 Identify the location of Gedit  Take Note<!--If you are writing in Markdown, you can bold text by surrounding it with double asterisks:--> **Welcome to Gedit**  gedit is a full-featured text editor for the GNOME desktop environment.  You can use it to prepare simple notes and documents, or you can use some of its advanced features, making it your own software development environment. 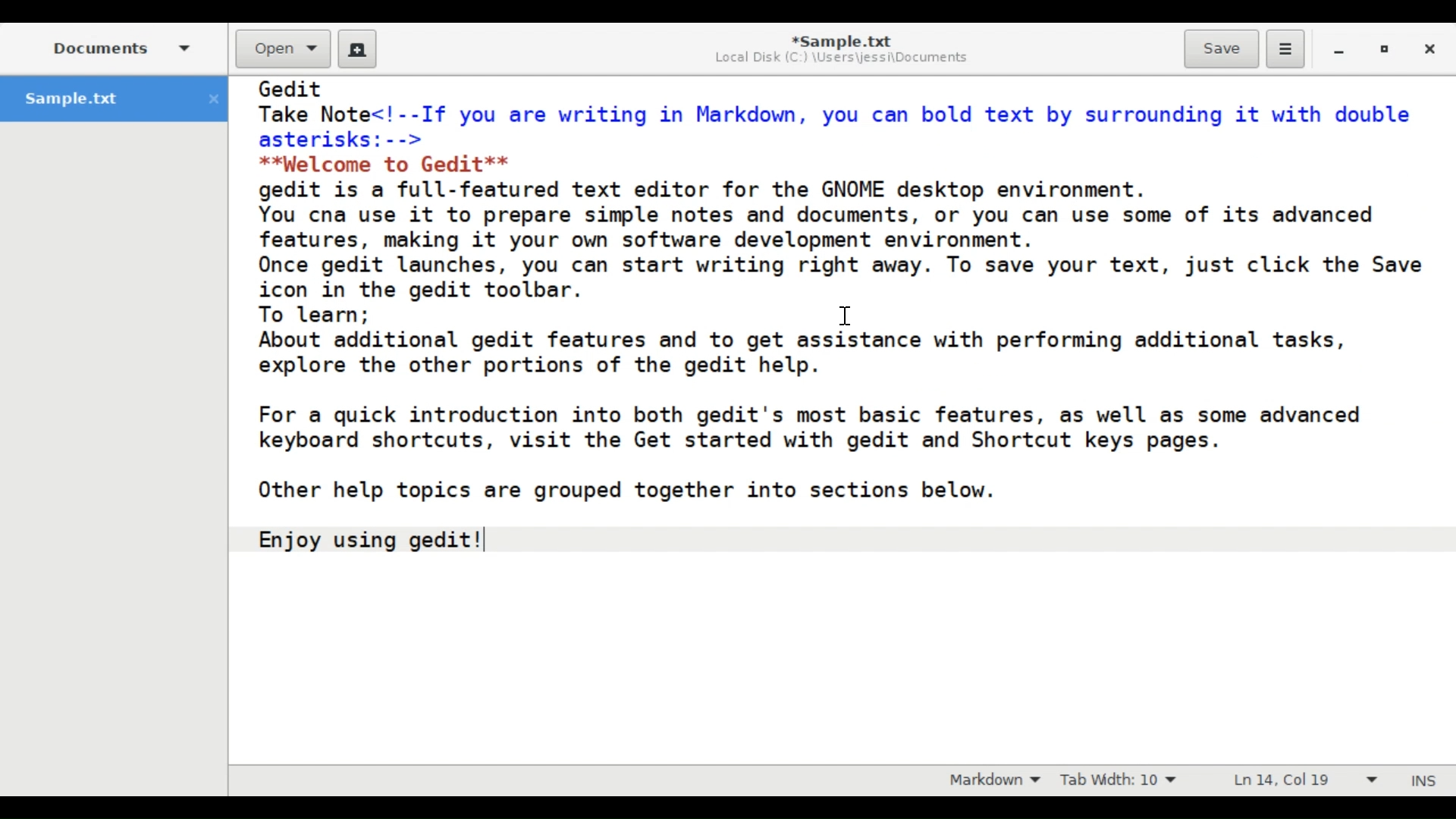
(839, 419).